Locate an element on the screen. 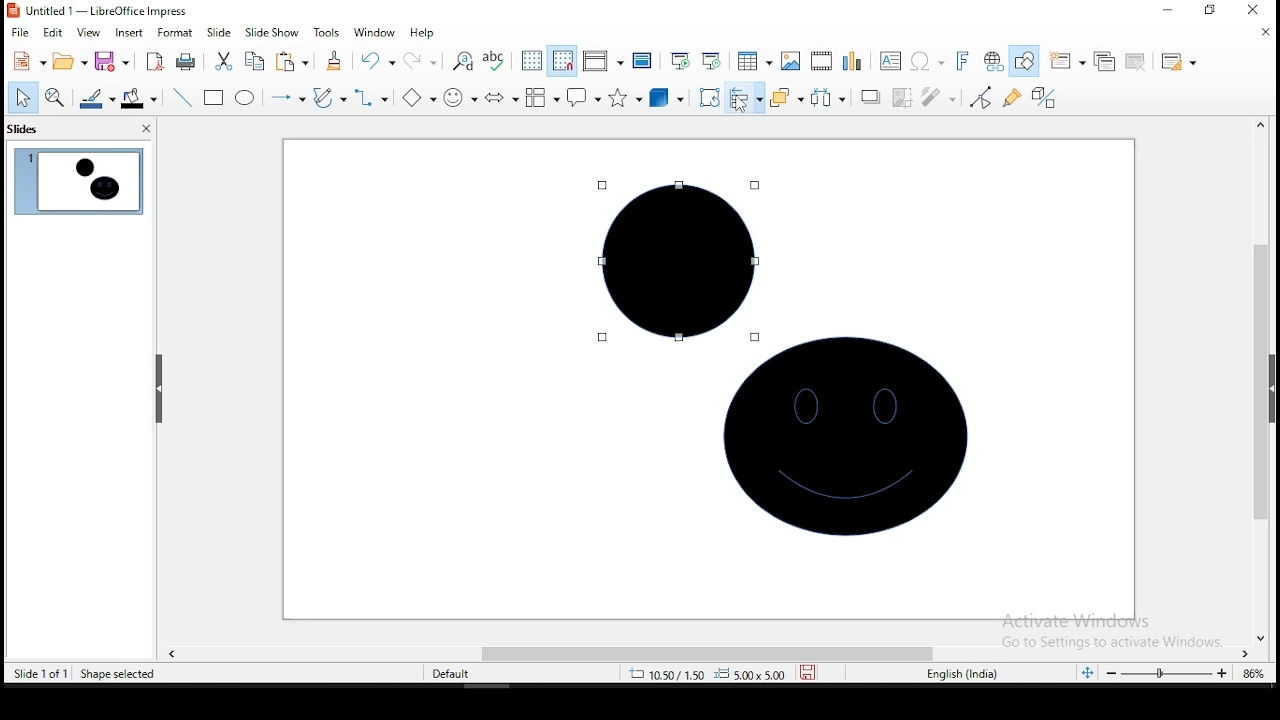 This screenshot has height=720, width=1280. symbol shapes is located at coordinates (458, 97).